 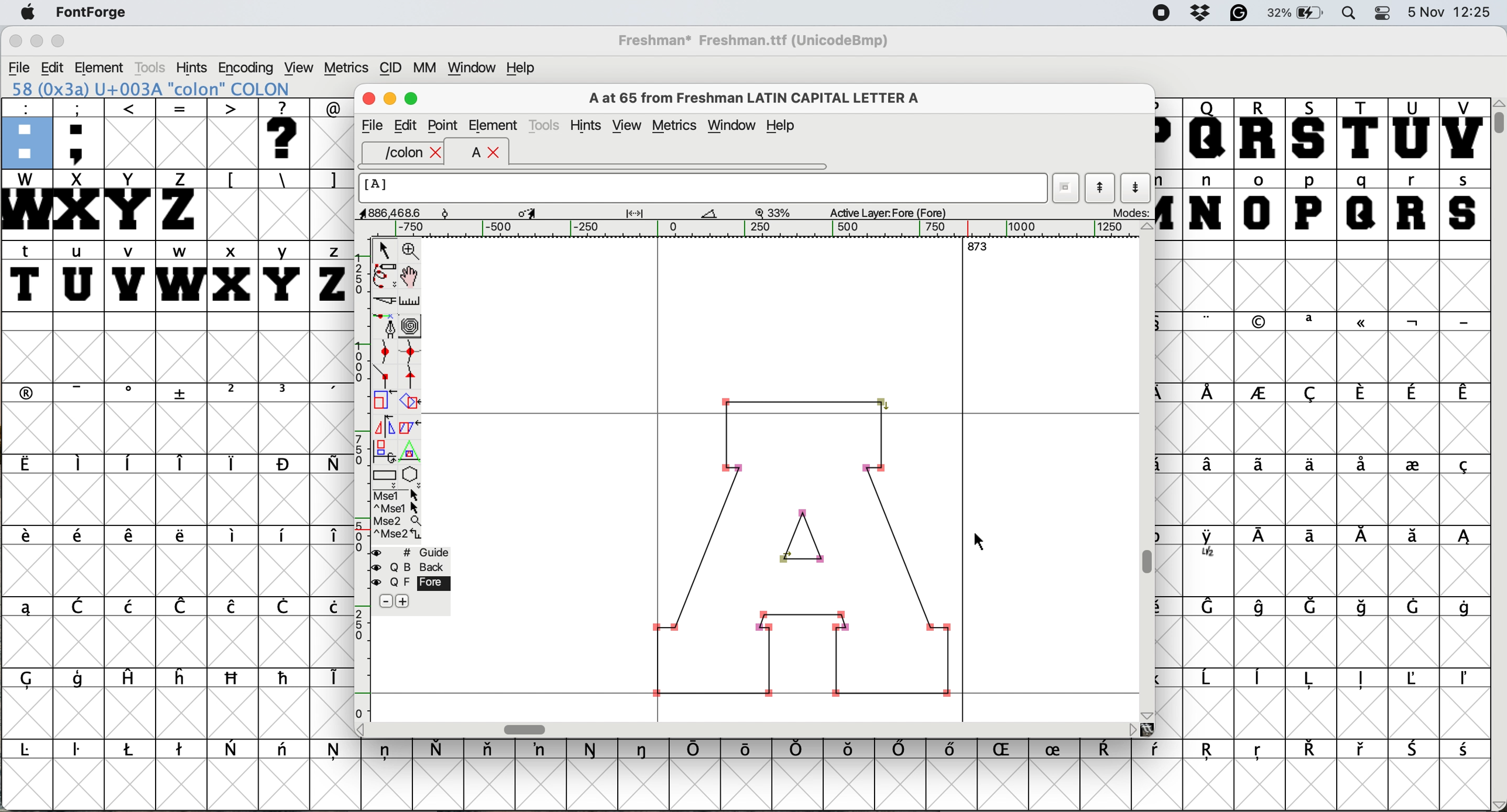 What do you see at coordinates (181, 677) in the screenshot?
I see `symbol` at bounding box center [181, 677].